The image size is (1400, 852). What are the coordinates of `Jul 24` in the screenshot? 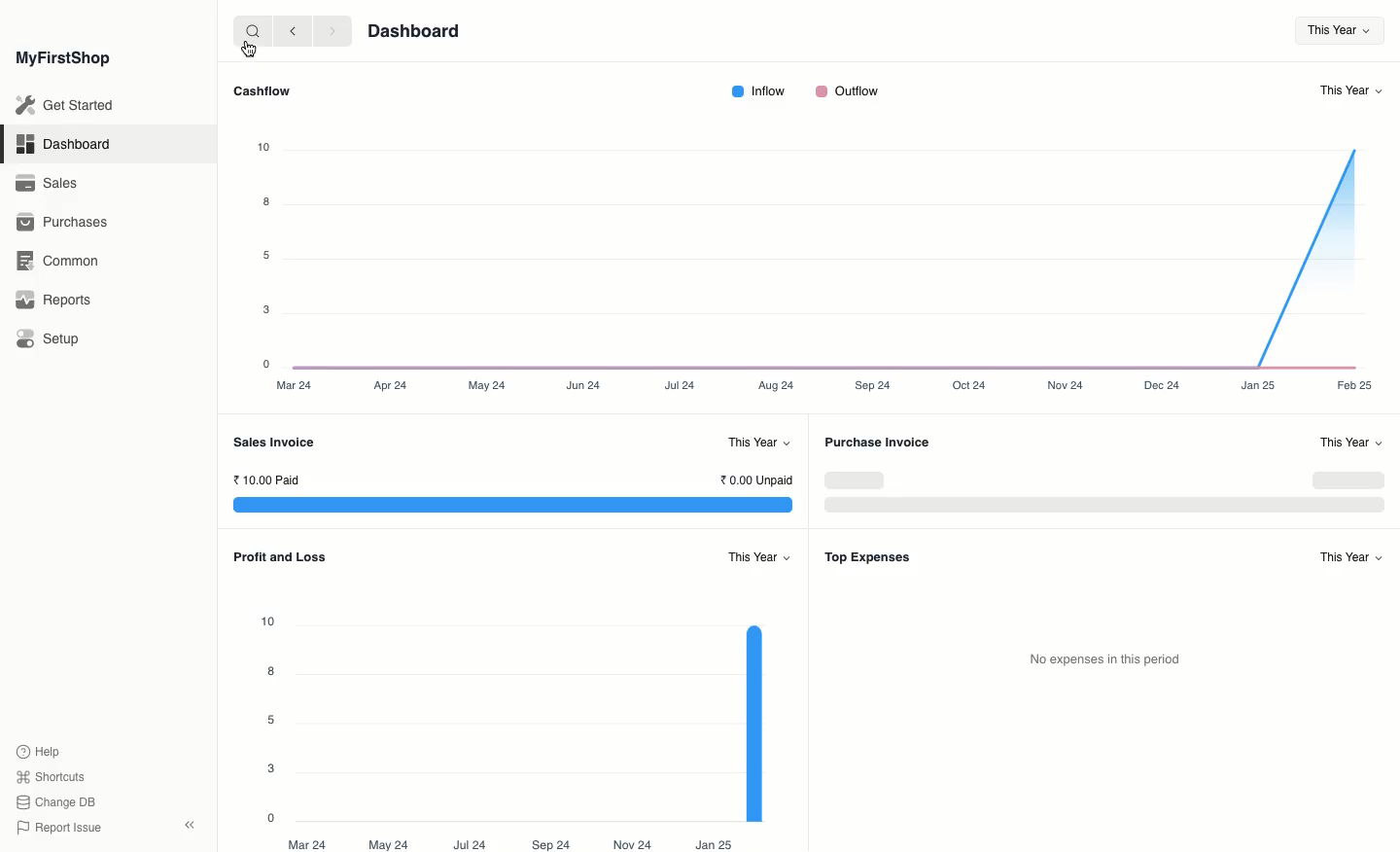 It's located at (471, 842).